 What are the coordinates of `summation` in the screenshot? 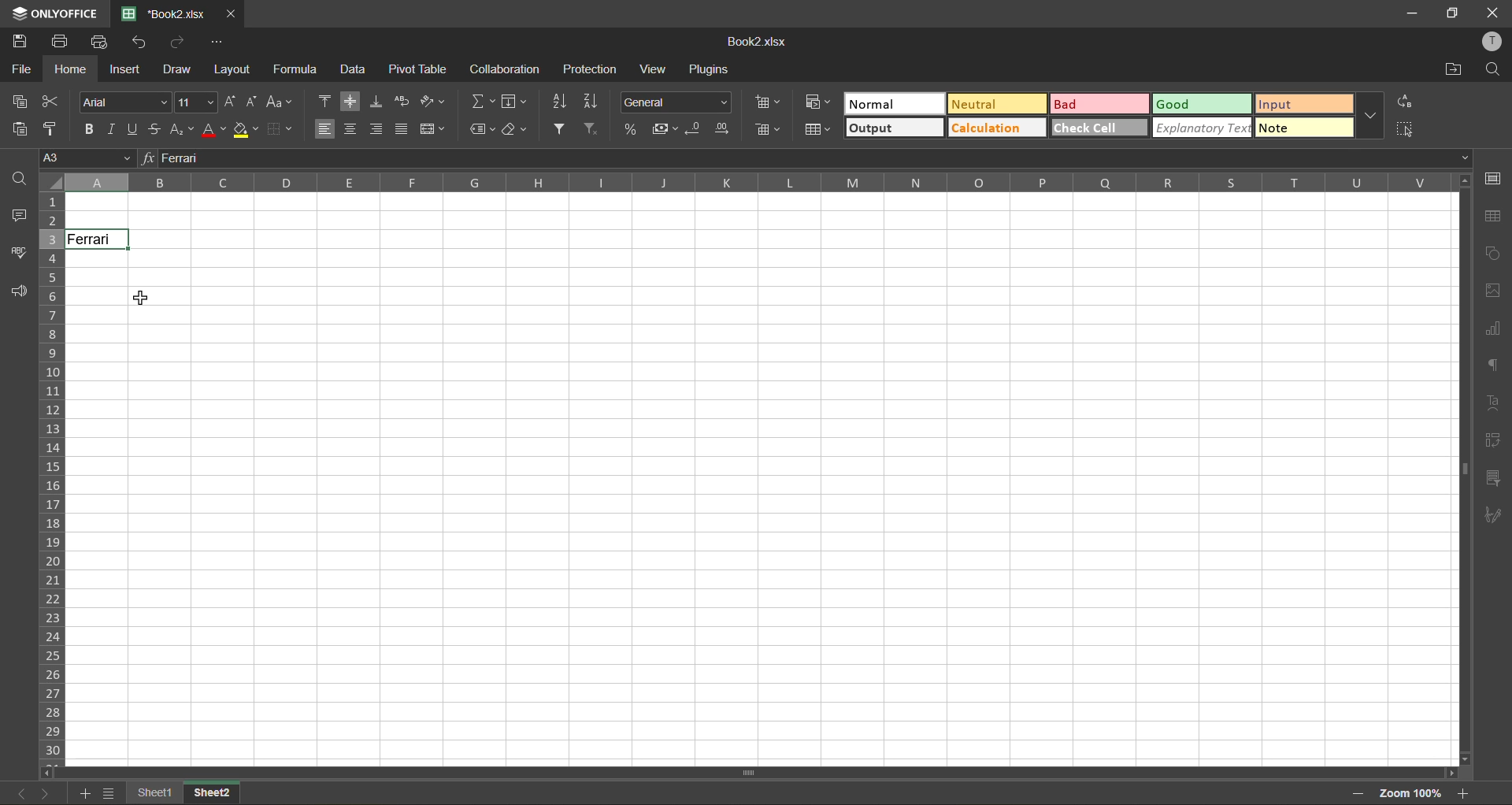 It's located at (483, 102).